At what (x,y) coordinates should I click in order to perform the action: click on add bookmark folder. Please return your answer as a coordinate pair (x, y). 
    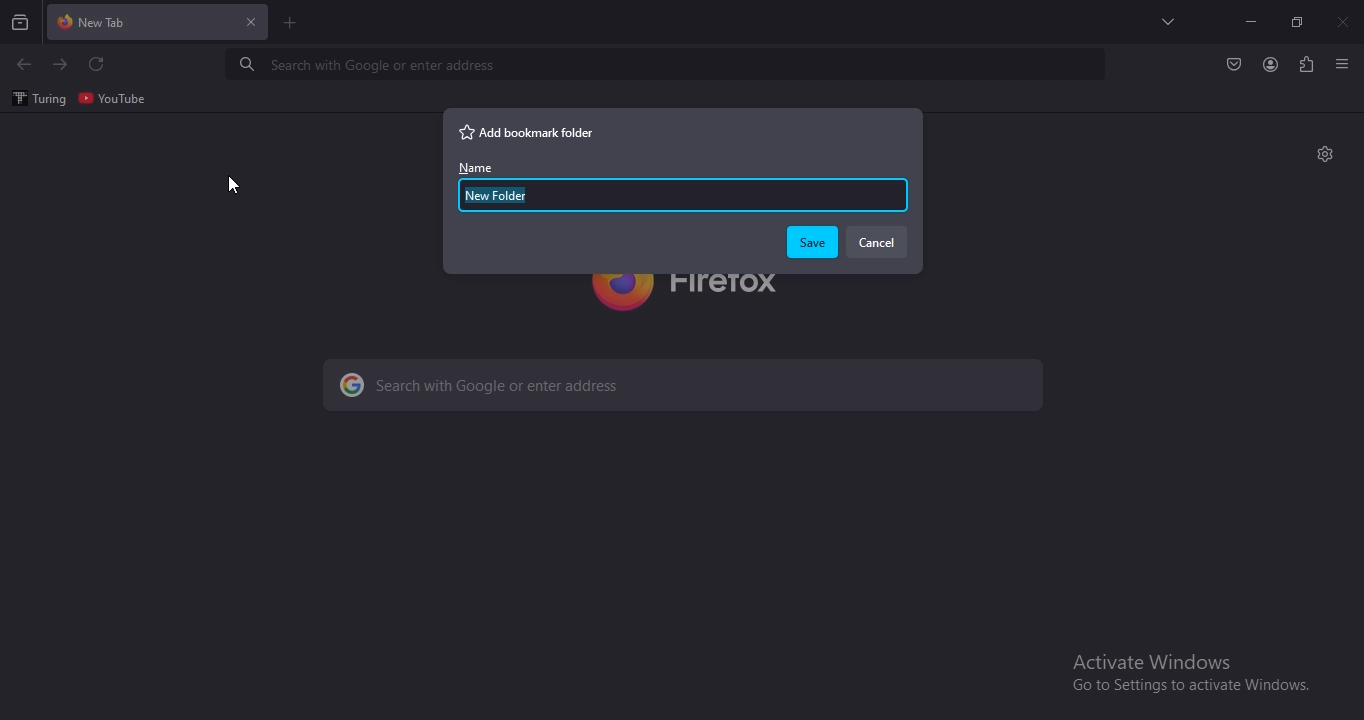
    Looking at the image, I should click on (529, 131).